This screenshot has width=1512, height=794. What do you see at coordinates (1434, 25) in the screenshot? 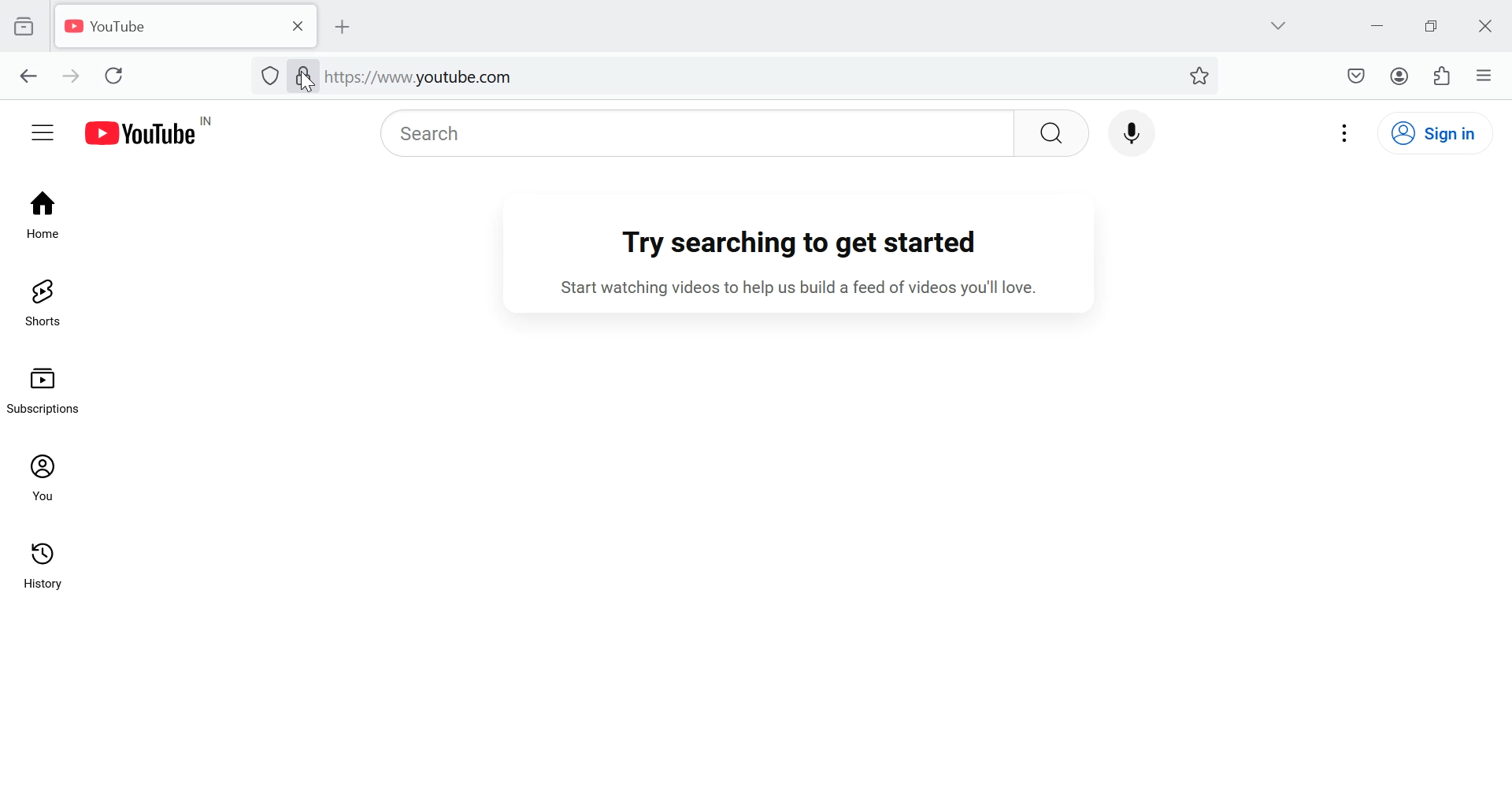
I see `Maximize` at bounding box center [1434, 25].